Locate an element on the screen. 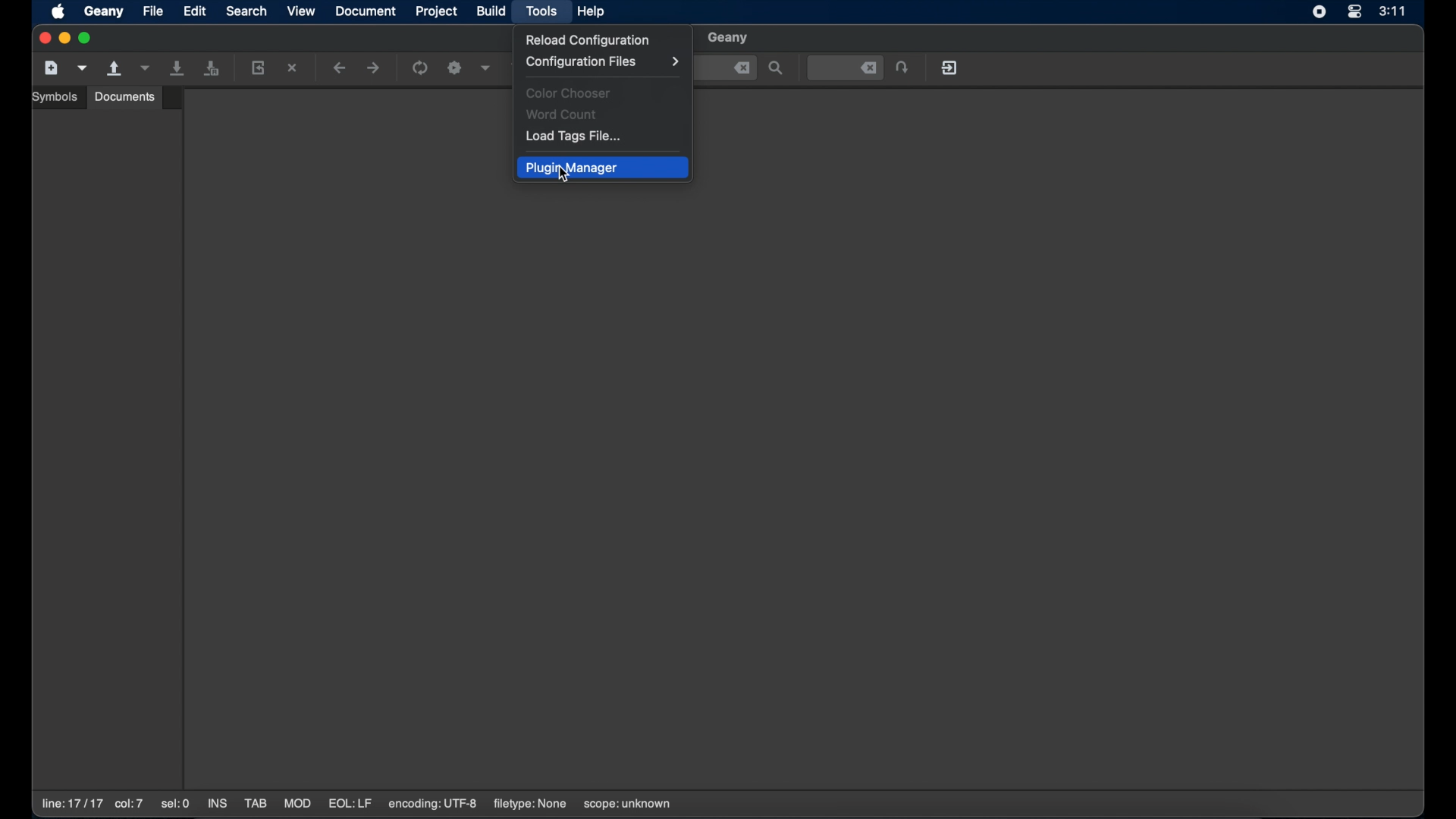 The width and height of the screenshot is (1456, 819). save all open files is located at coordinates (212, 69).